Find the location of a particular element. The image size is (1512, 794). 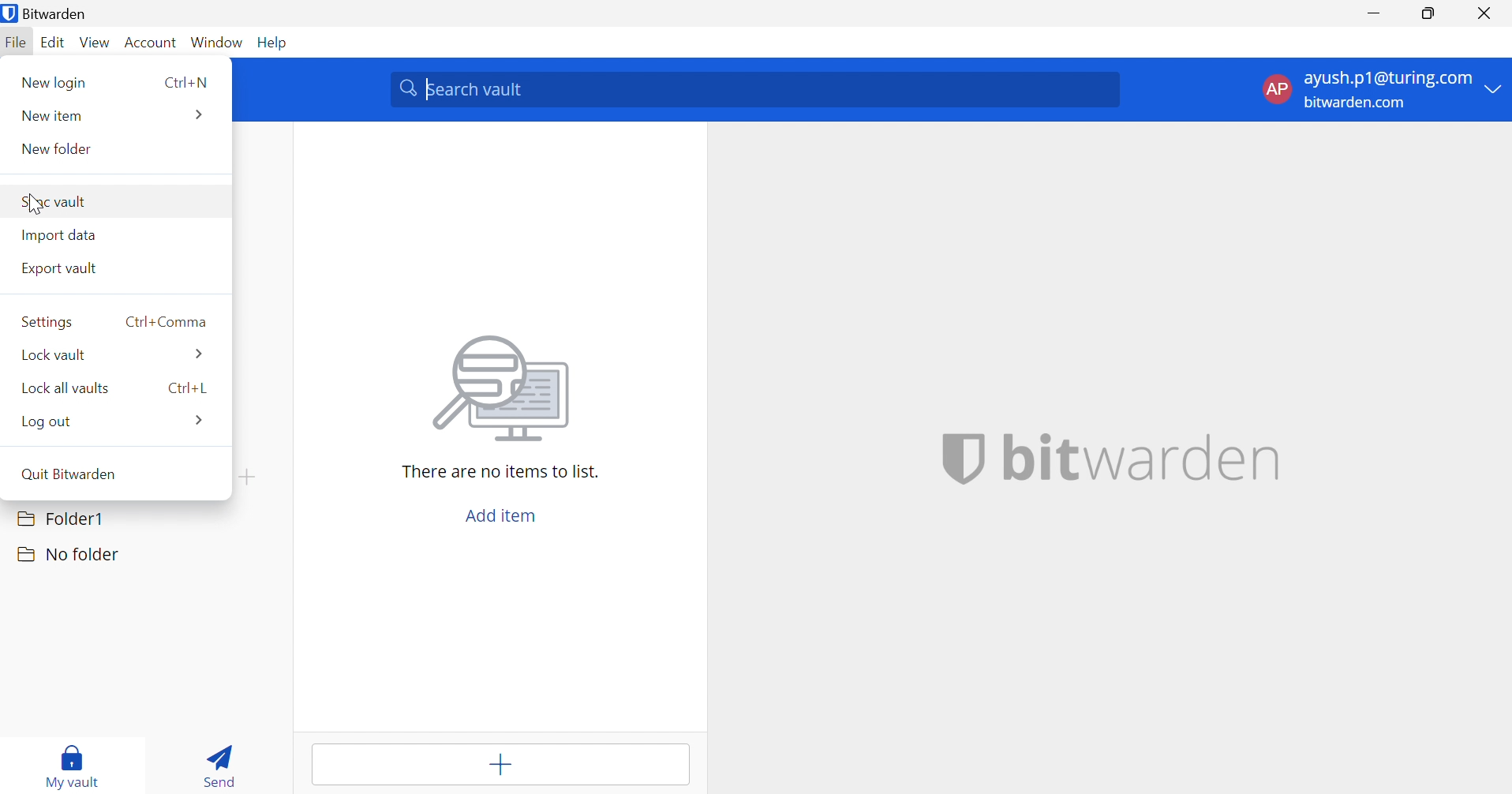

New login is located at coordinates (56, 81).